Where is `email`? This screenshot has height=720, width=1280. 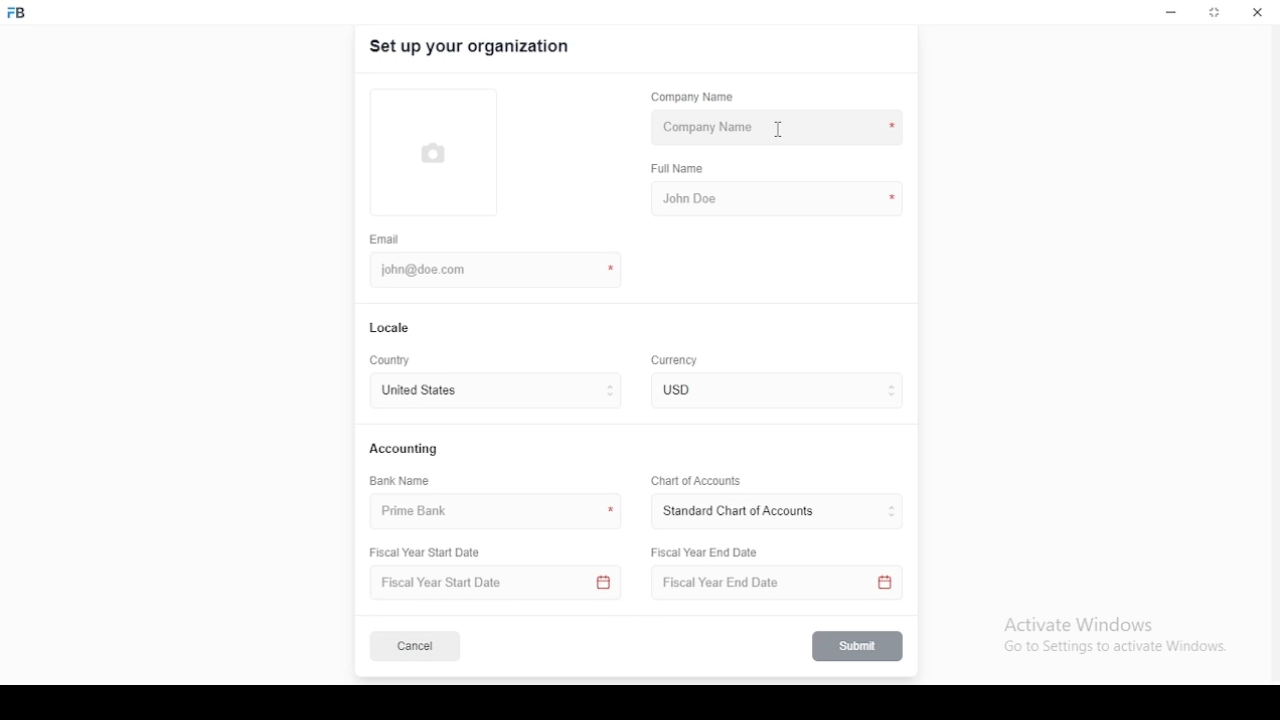
email is located at coordinates (385, 239).